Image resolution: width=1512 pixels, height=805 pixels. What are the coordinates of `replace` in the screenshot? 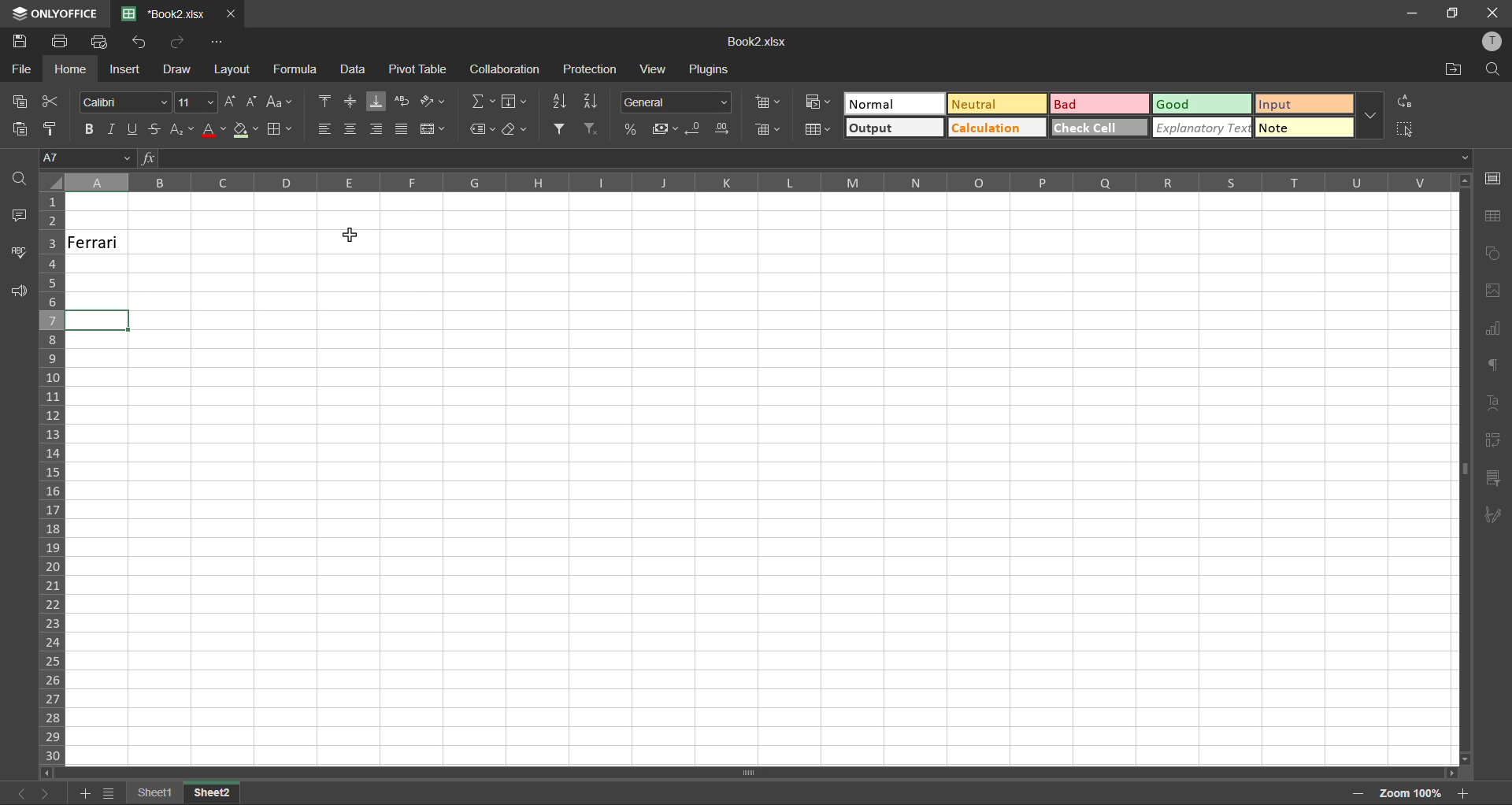 It's located at (1400, 101).